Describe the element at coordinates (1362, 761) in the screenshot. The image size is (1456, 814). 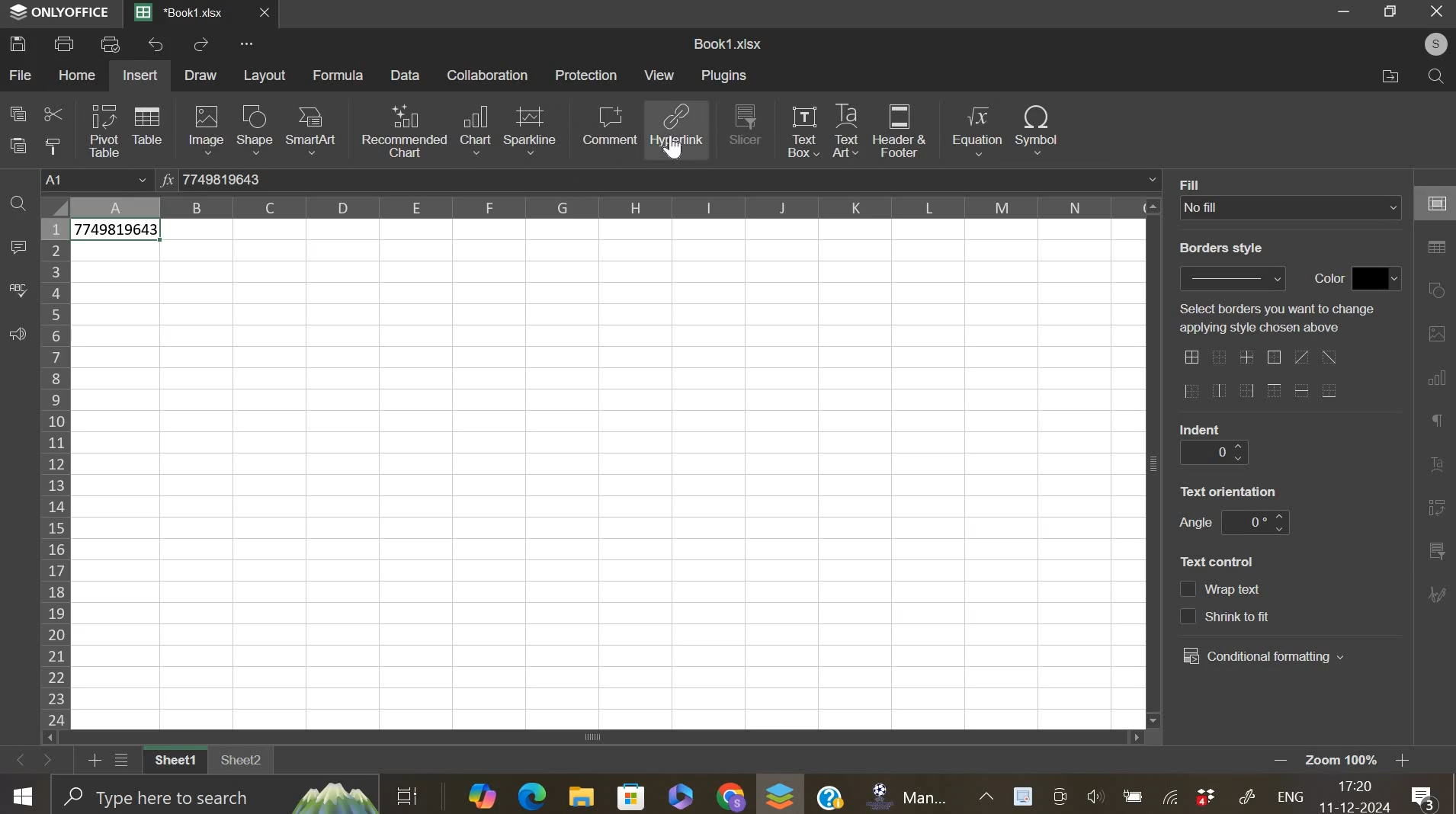
I see `zoom` at that location.